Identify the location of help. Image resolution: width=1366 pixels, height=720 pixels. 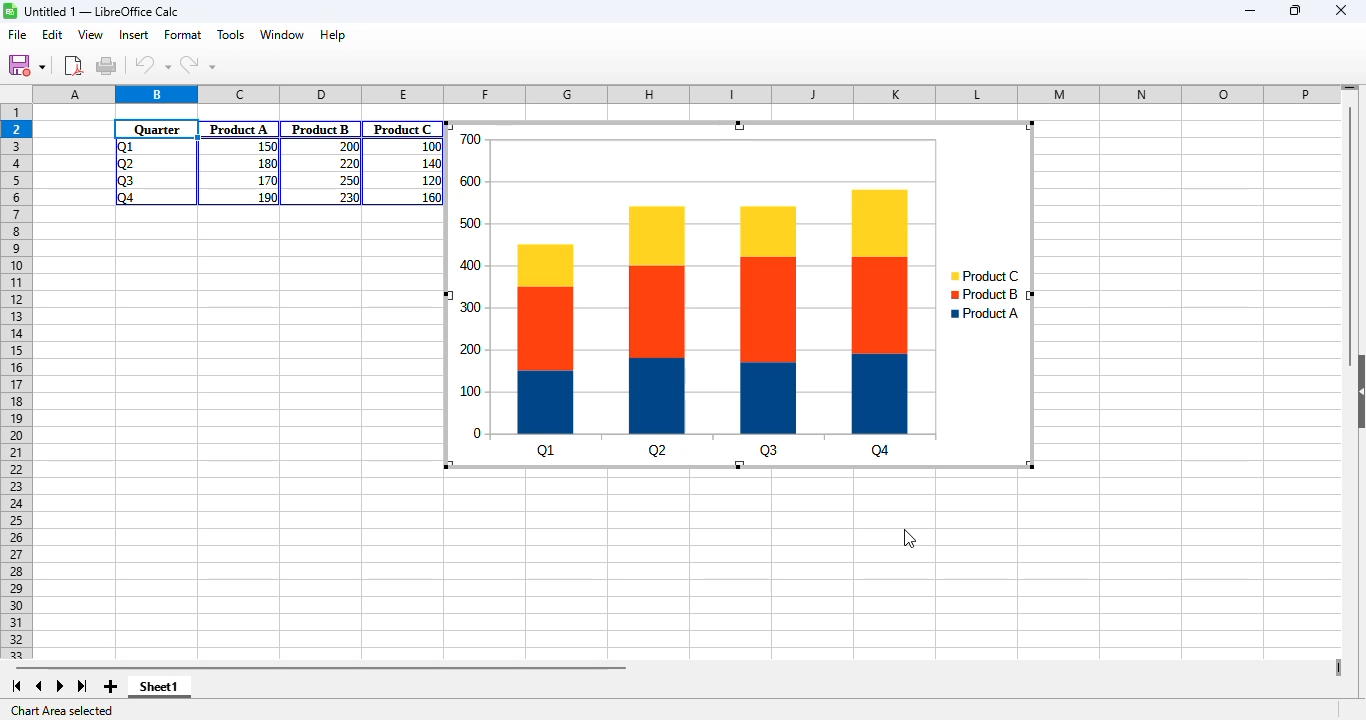
(333, 34).